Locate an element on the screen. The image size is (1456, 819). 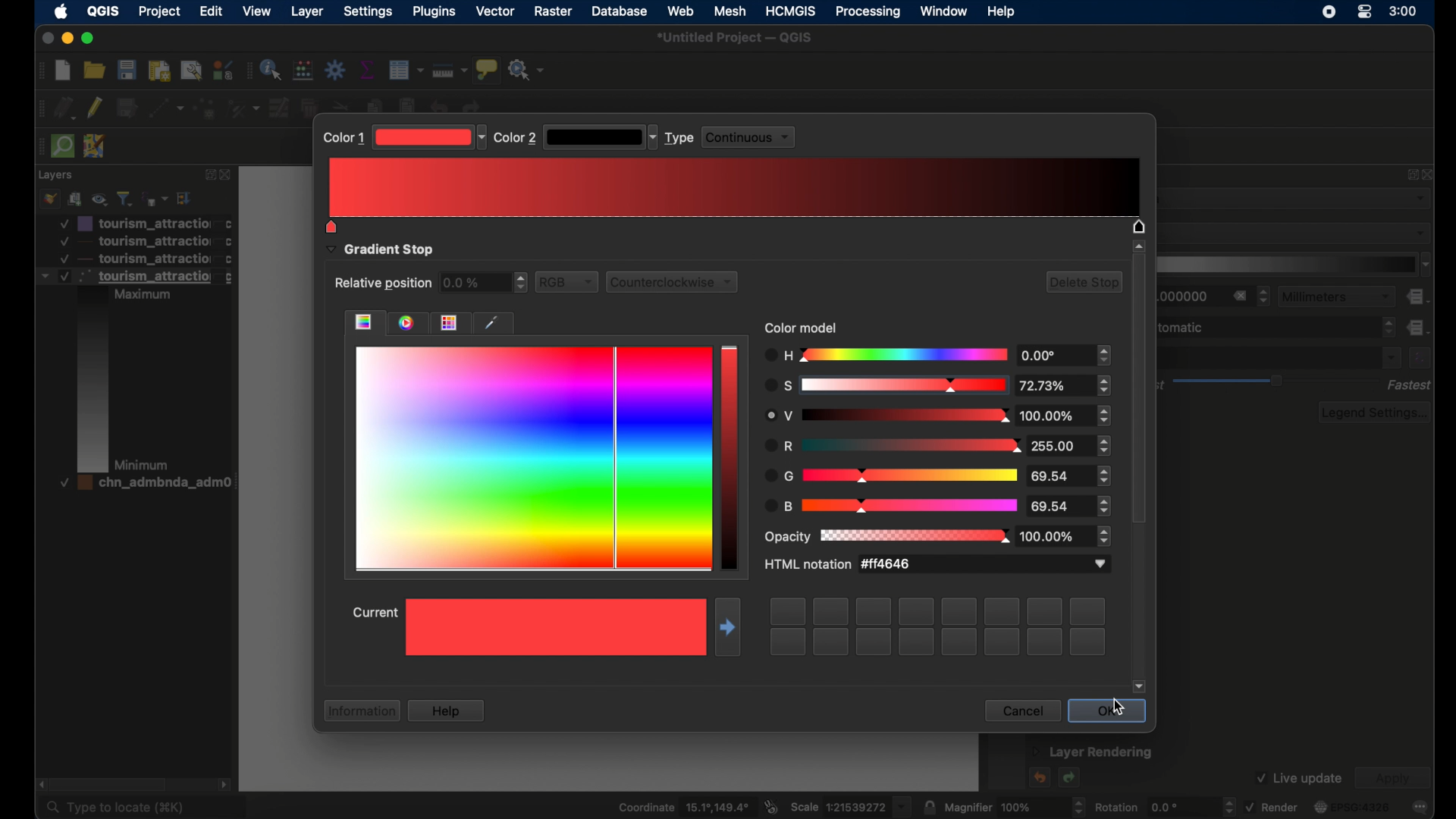
radius stepper buttons is located at coordinates (1215, 297).